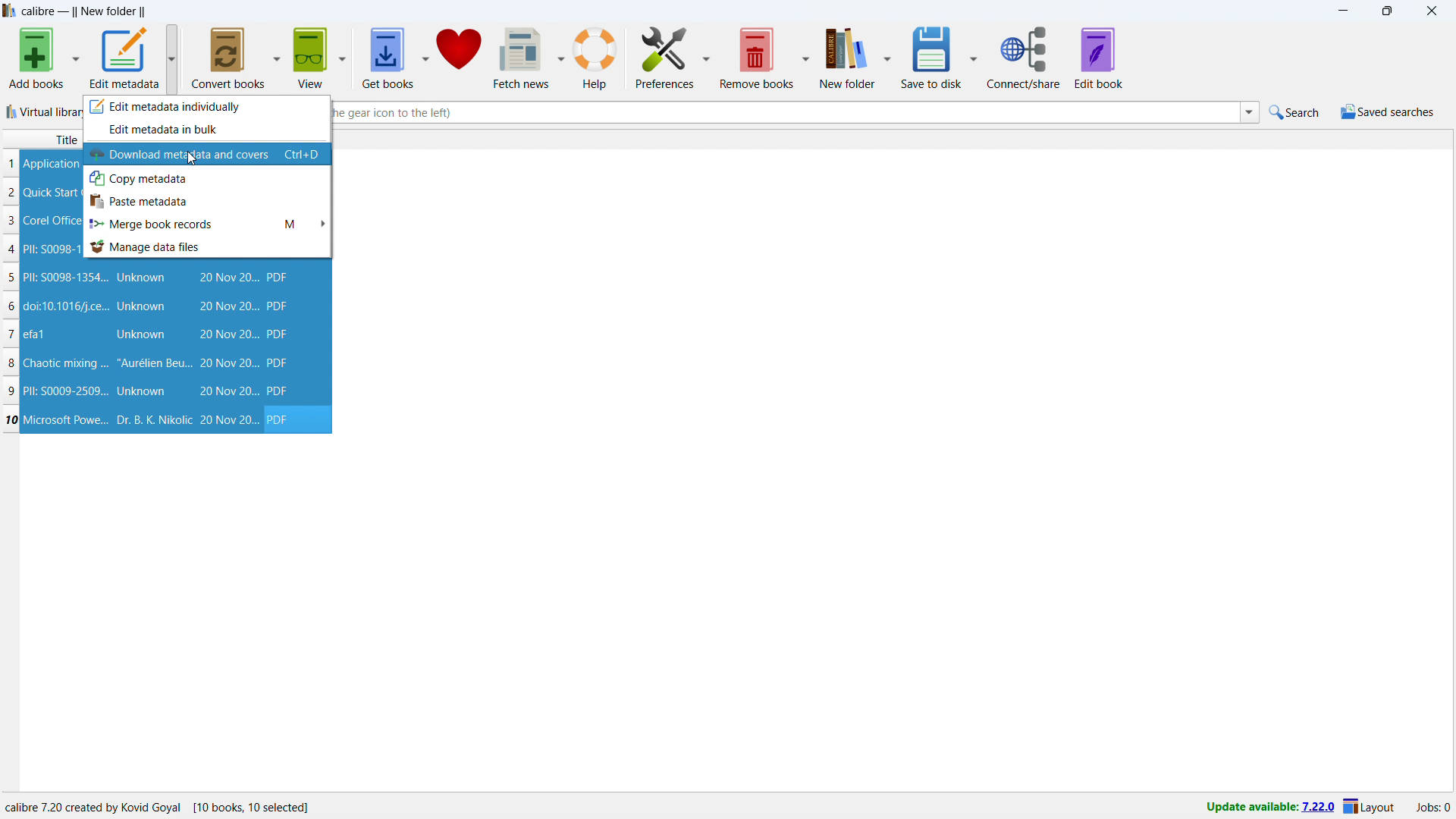 Image resolution: width=1456 pixels, height=819 pixels. Describe the element at coordinates (227, 334) in the screenshot. I see `20 Nov 20...` at that location.